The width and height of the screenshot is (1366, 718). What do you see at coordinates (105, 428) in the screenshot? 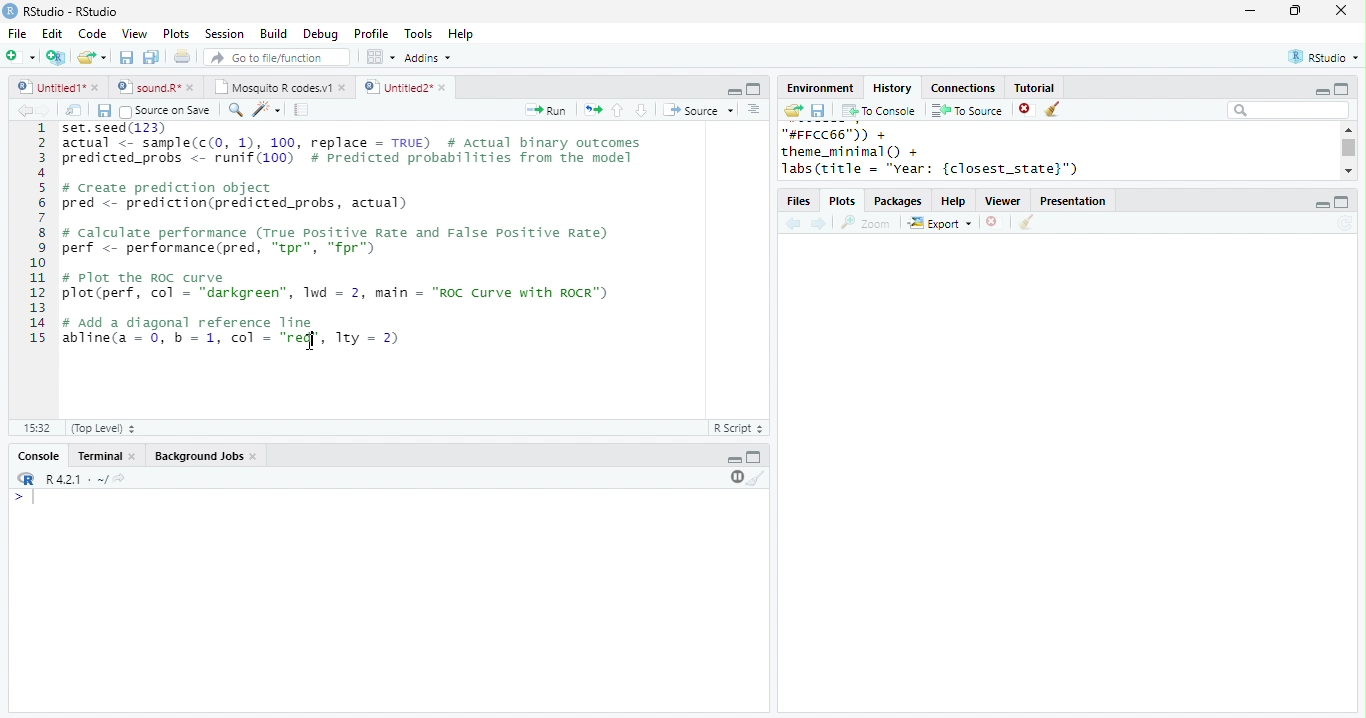
I see `Top Level` at bounding box center [105, 428].